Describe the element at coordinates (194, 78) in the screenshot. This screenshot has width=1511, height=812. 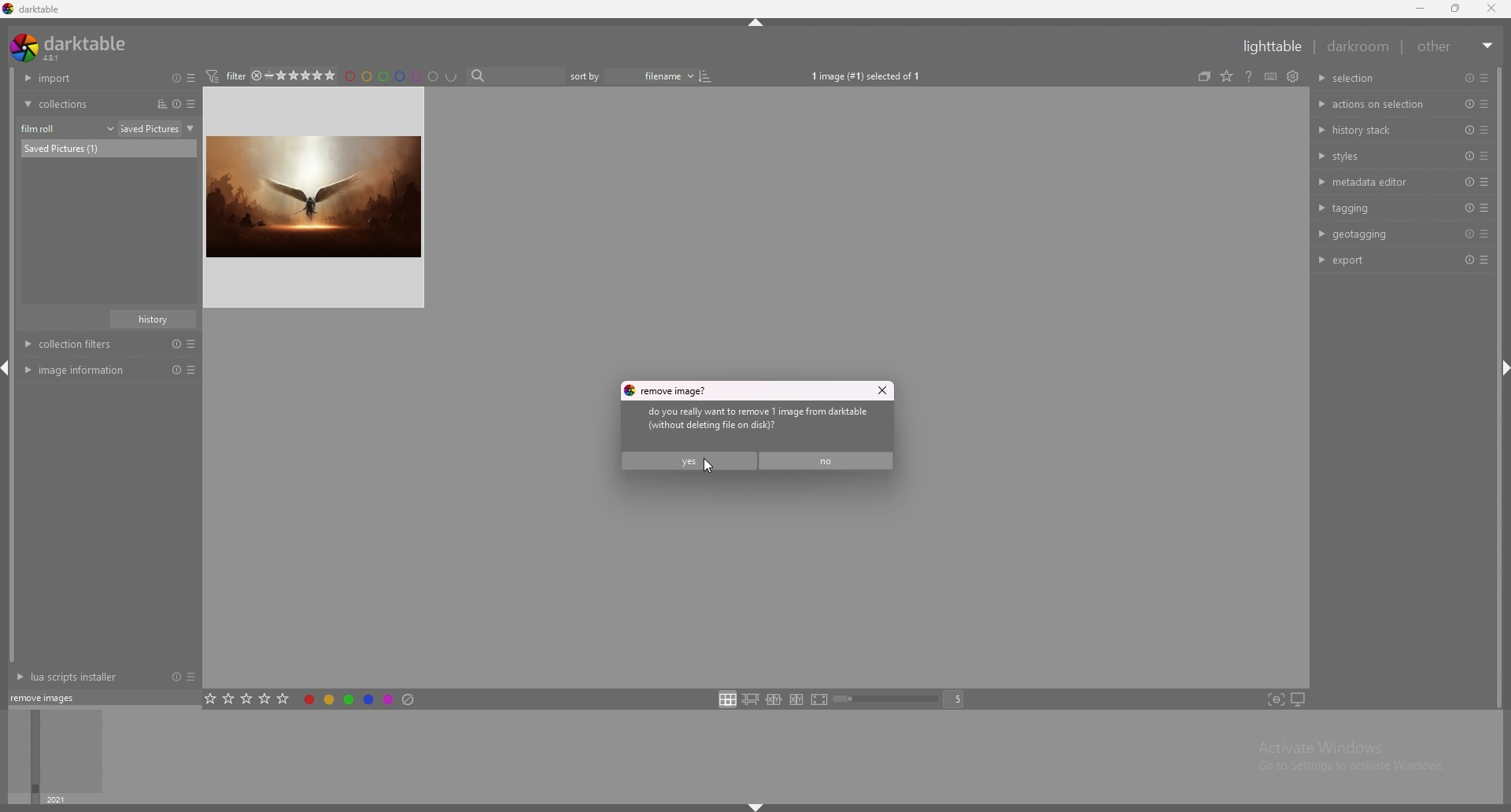
I see `presets` at that location.